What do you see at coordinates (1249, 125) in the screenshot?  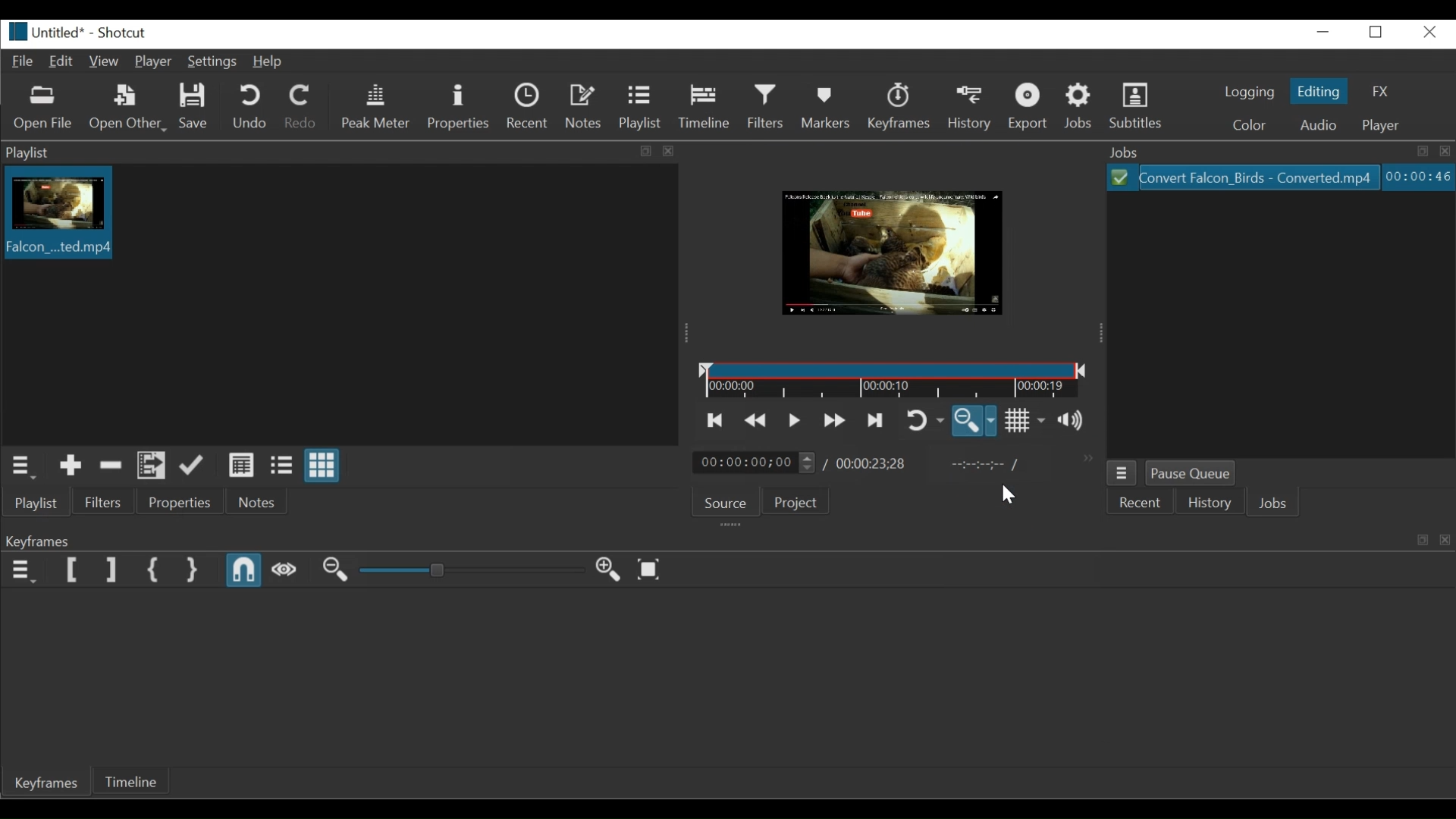 I see `Color` at bounding box center [1249, 125].